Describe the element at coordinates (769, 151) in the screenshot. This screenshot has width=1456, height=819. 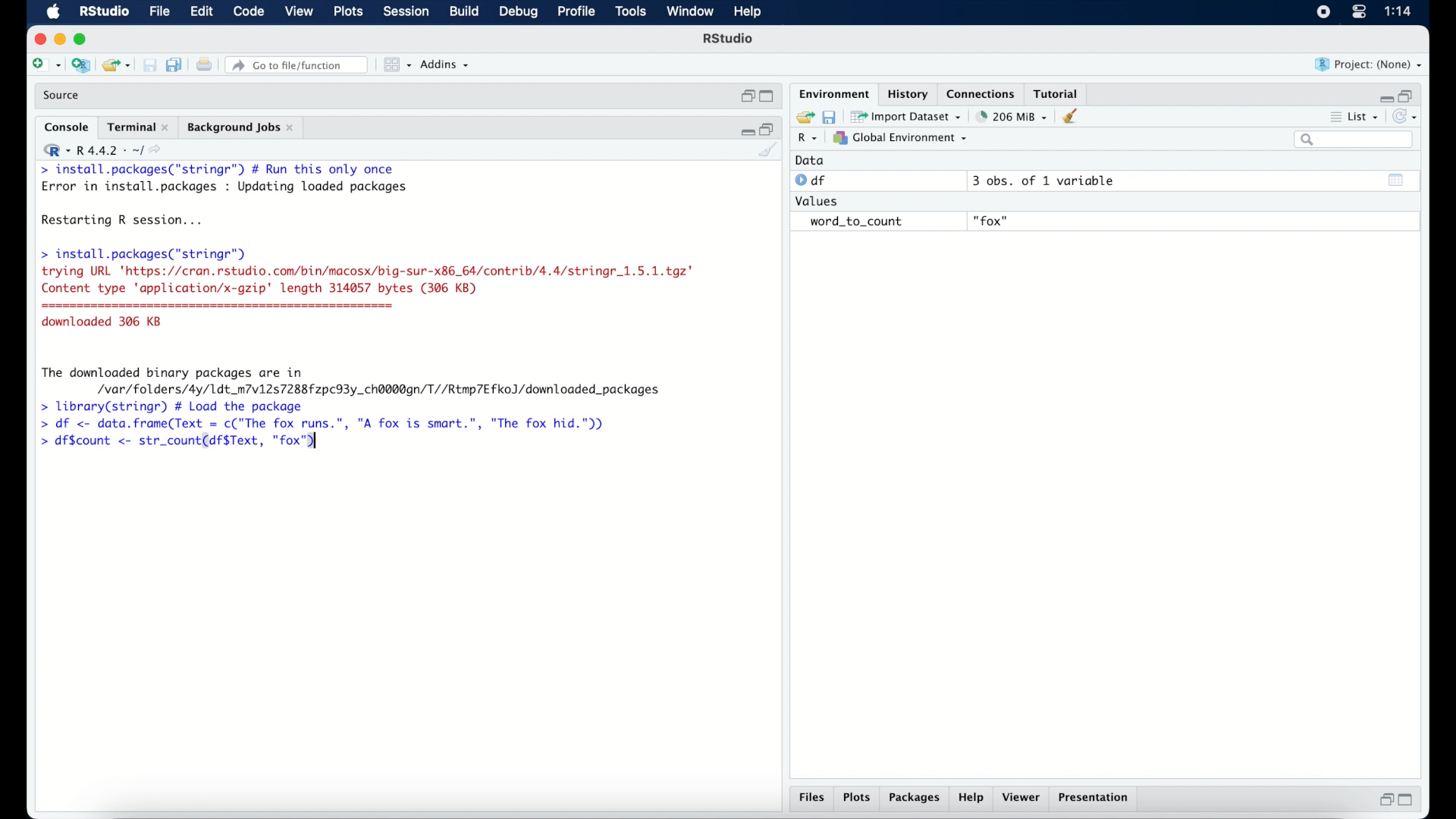
I see `clear console` at that location.